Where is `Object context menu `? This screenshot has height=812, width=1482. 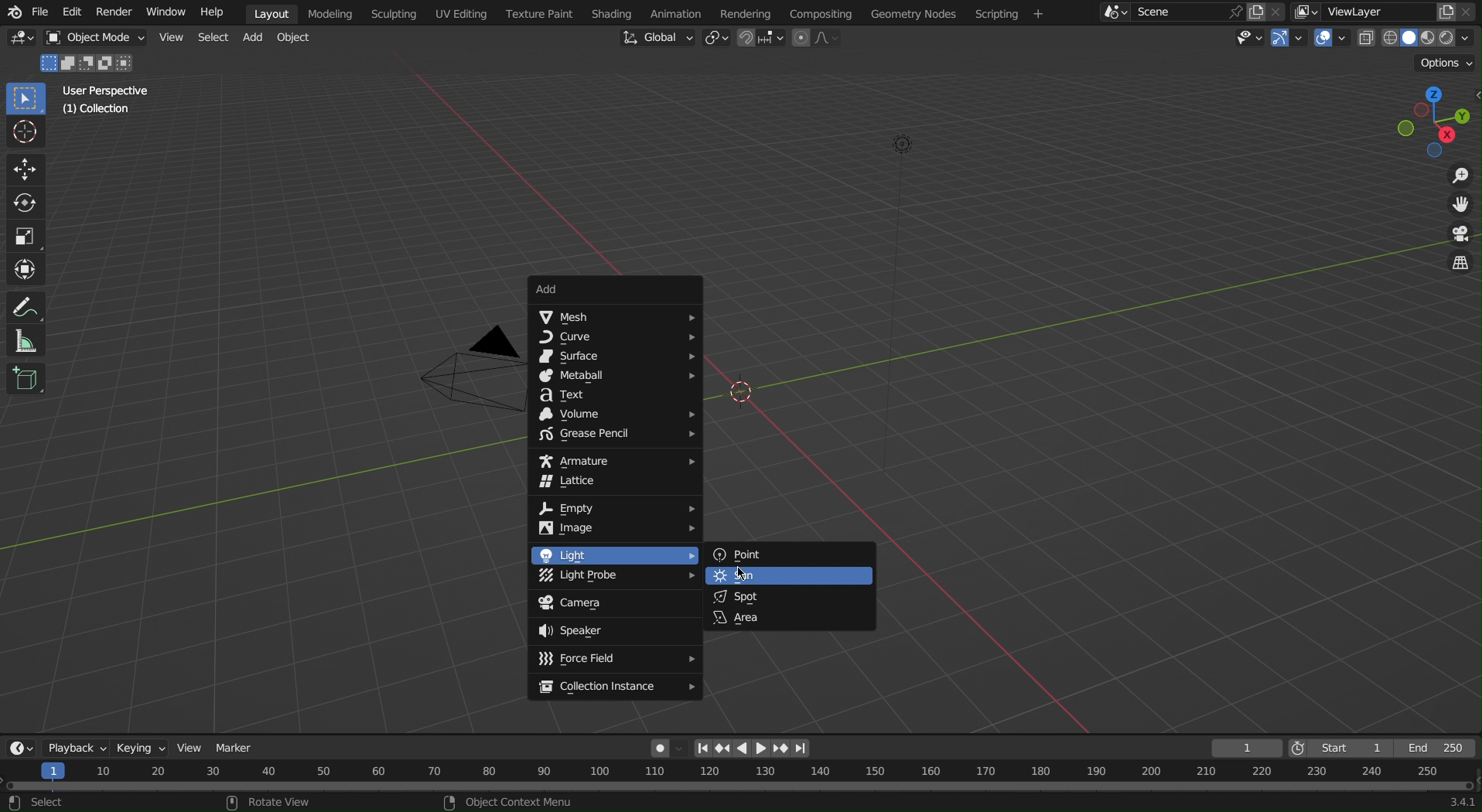 Object context menu  is located at coordinates (511, 801).